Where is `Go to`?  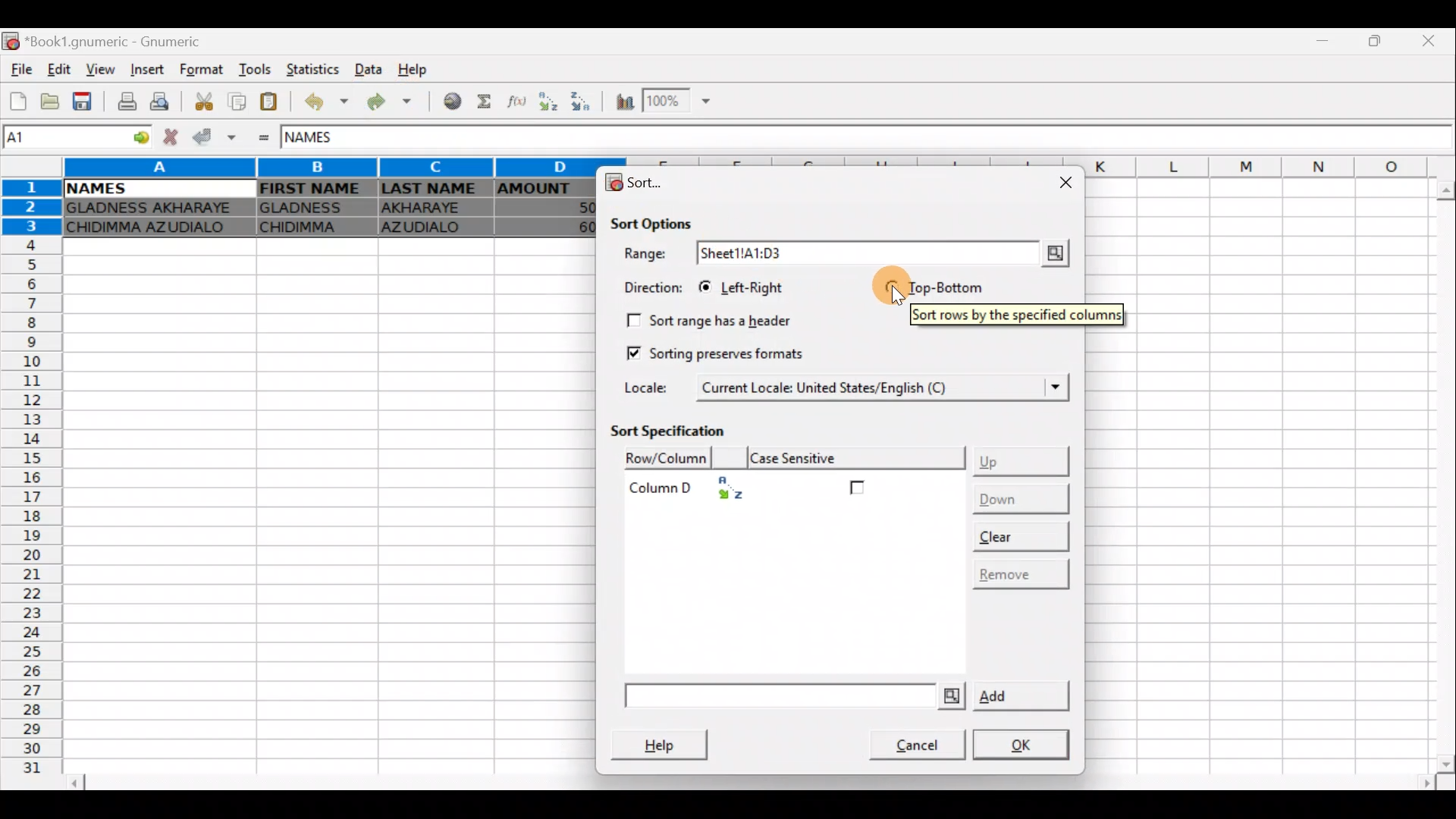 Go to is located at coordinates (136, 139).